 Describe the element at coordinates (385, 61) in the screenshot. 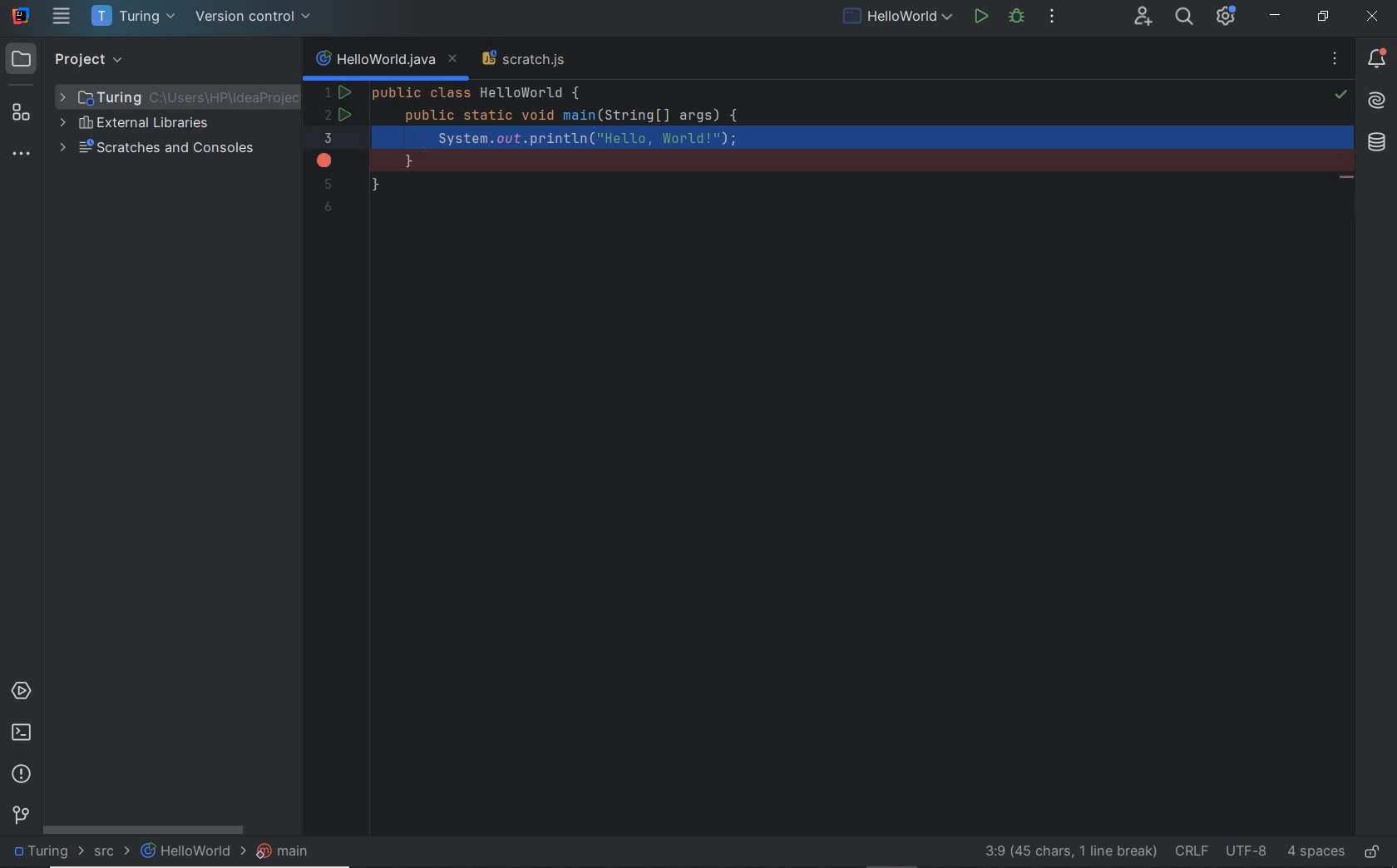

I see `current file name` at that location.